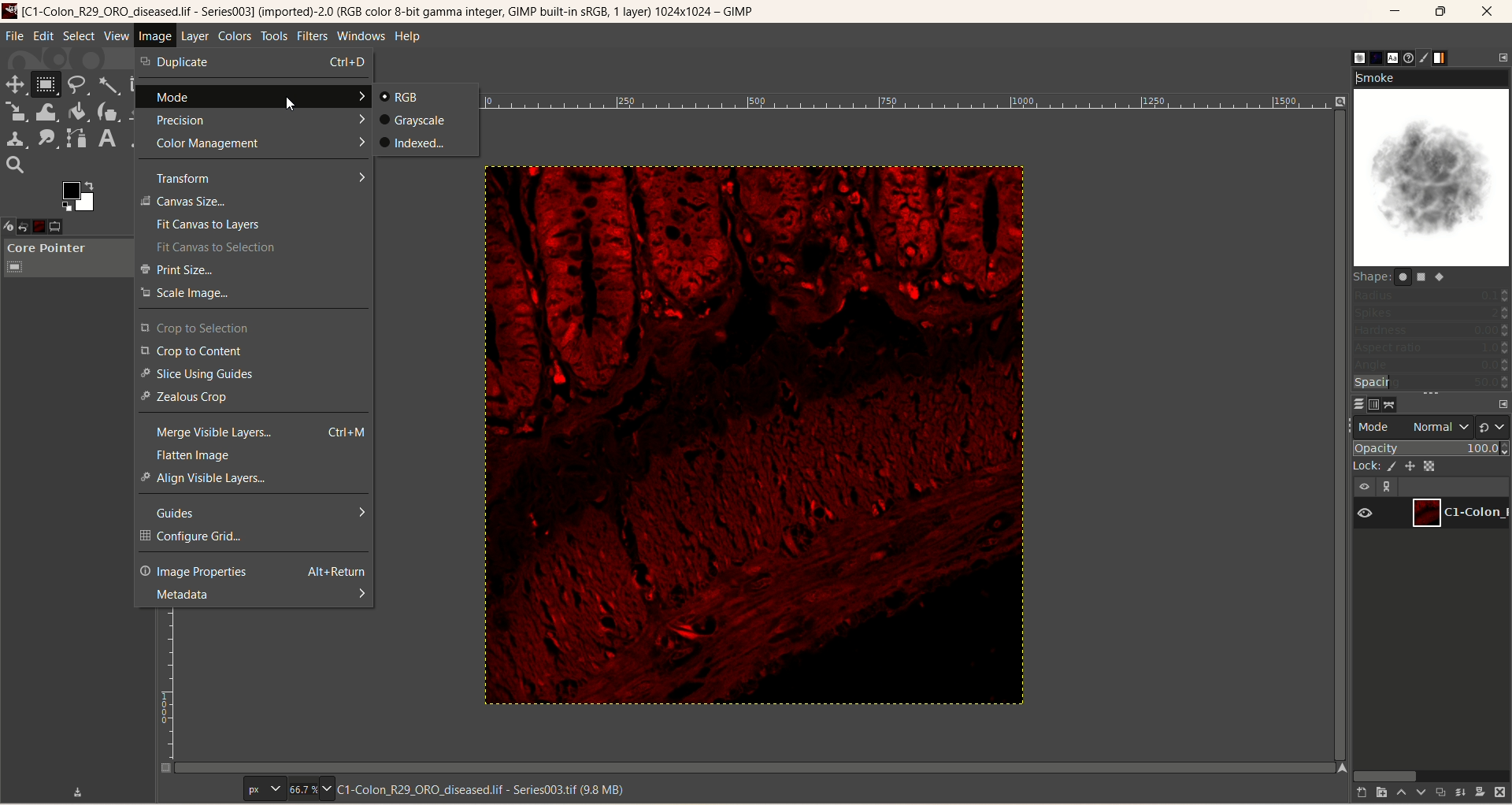  What do you see at coordinates (254, 97) in the screenshot?
I see `mode` at bounding box center [254, 97].